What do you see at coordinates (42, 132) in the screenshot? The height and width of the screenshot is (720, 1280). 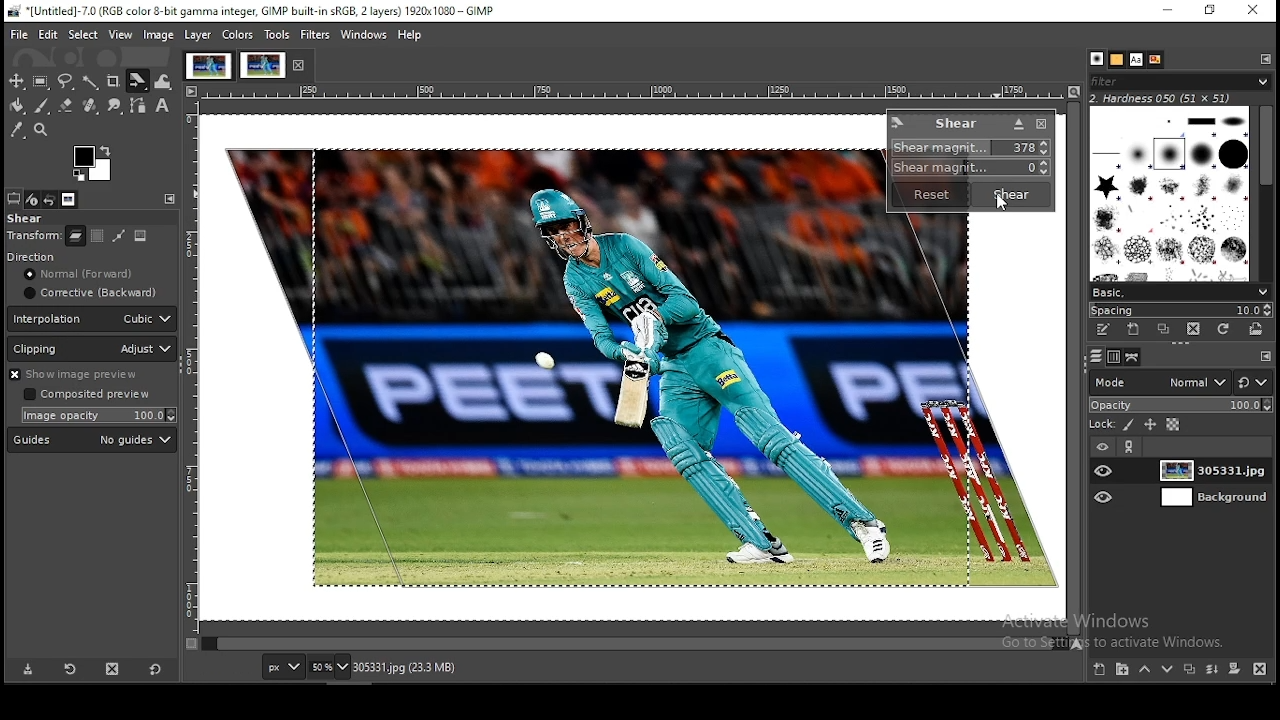 I see `zoom tool` at bounding box center [42, 132].